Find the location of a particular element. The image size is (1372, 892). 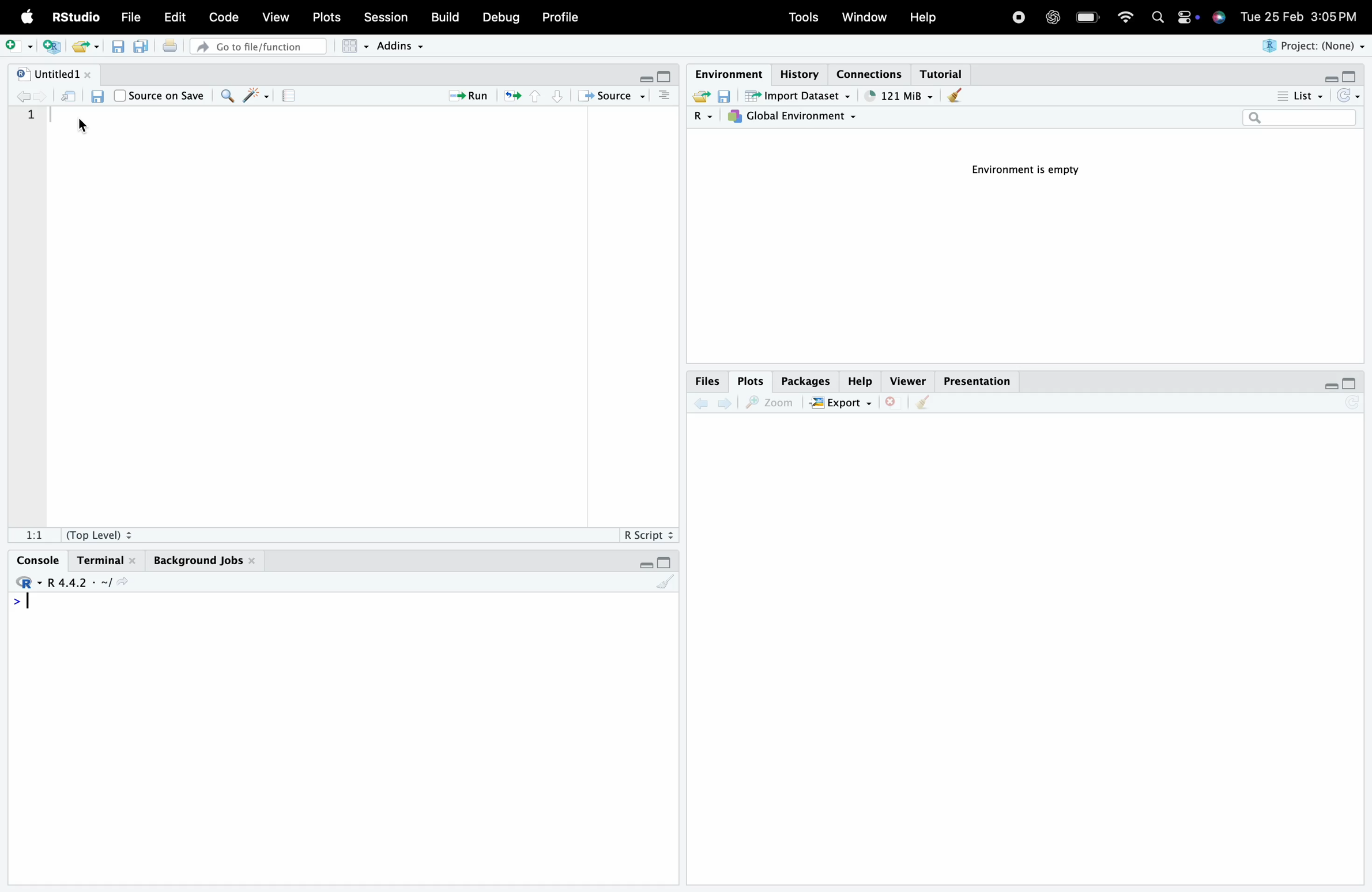

Prompt cursor is located at coordinates (16, 604).